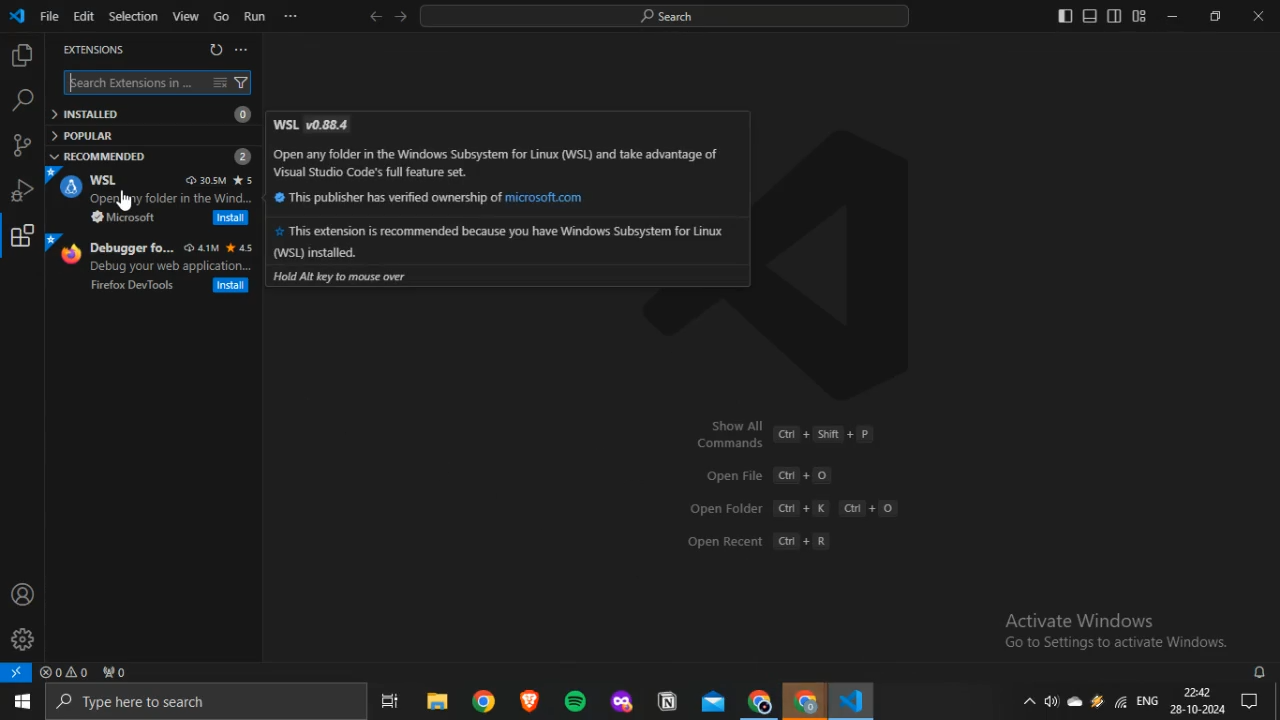  I want to click on no problems, so click(64, 672).